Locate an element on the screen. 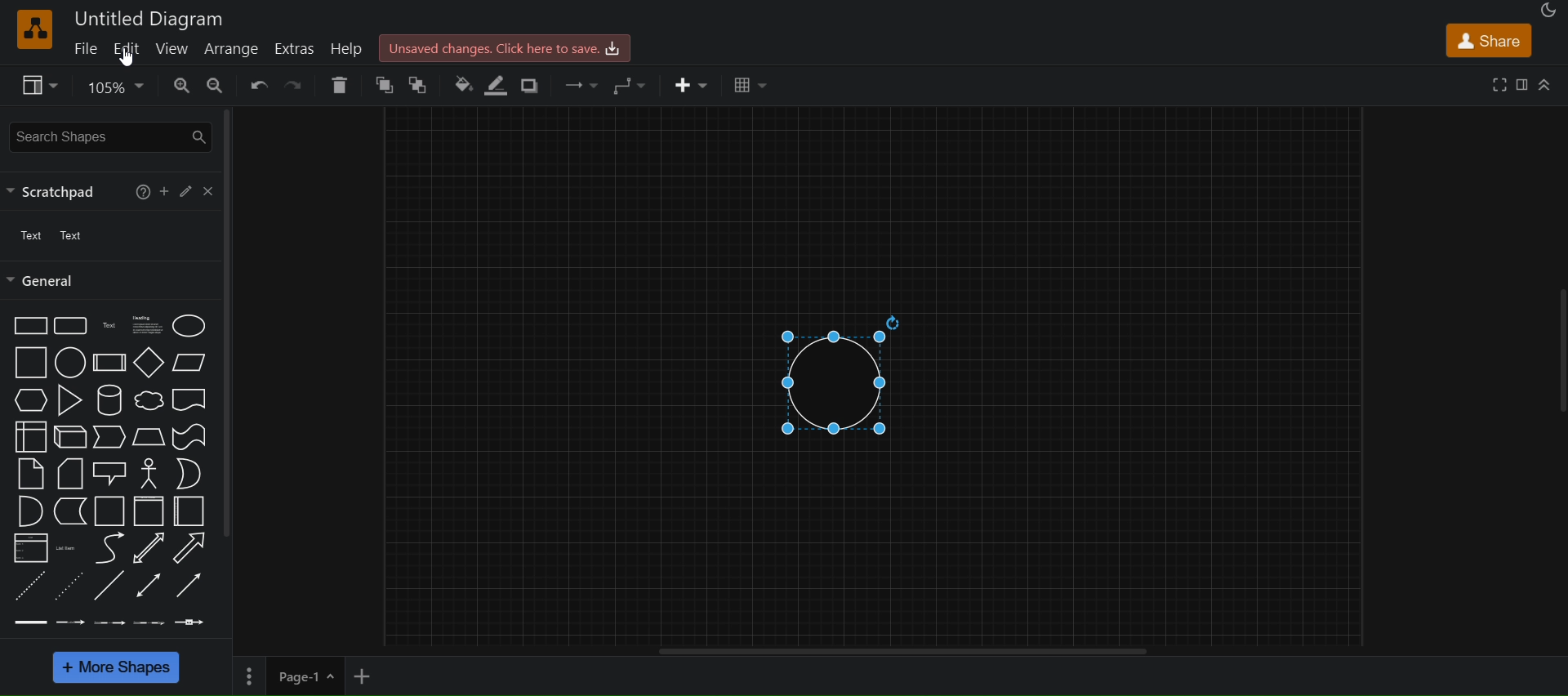 The width and height of the screenshot is (1568, 696). scratchpad is located at coordinates (56, 190).